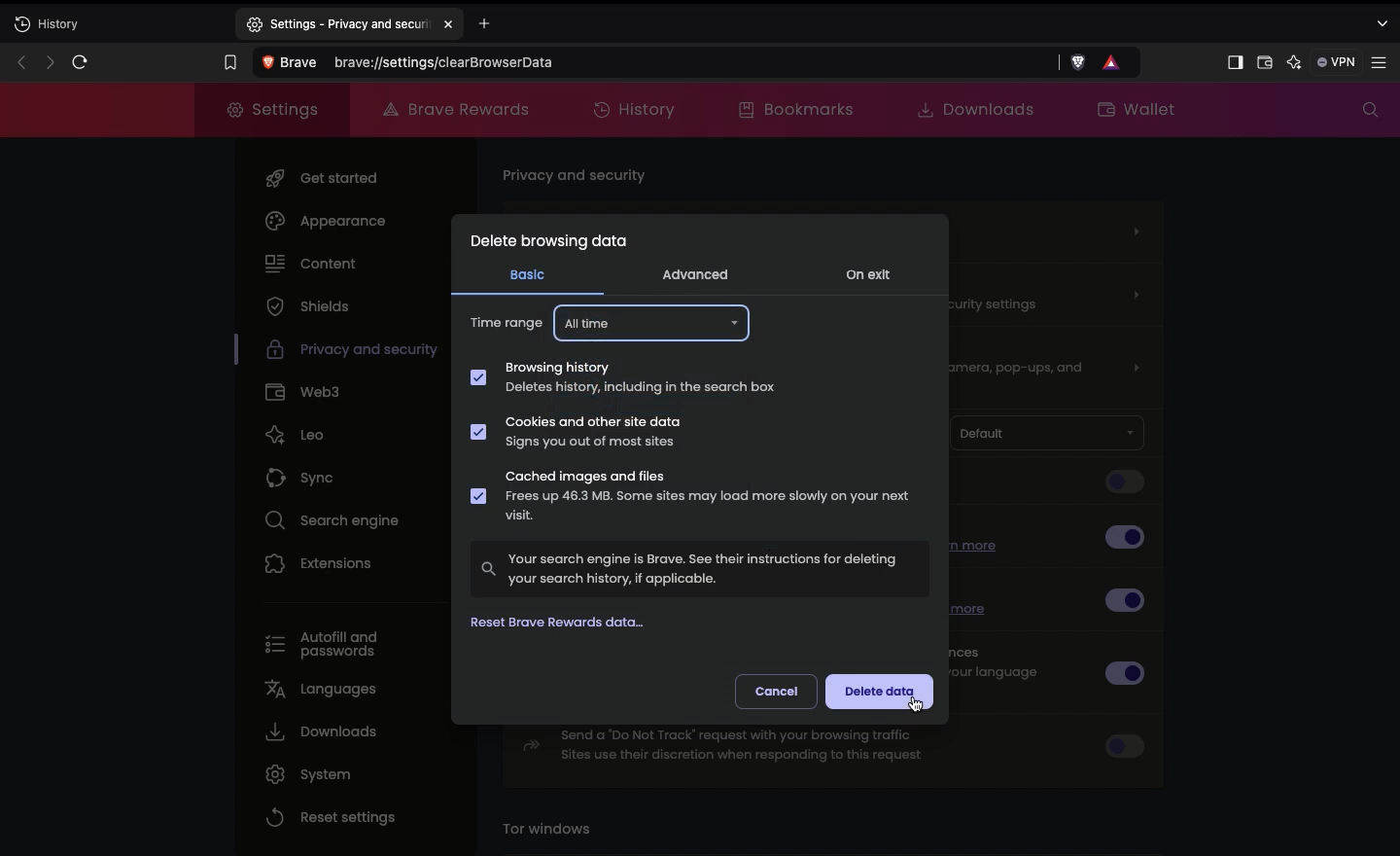 Image resolution: width=1400 pixels, height=856 pixels. Describe the element at coordinates (47, 62) in the screenshot. I see `Next page` at that location.